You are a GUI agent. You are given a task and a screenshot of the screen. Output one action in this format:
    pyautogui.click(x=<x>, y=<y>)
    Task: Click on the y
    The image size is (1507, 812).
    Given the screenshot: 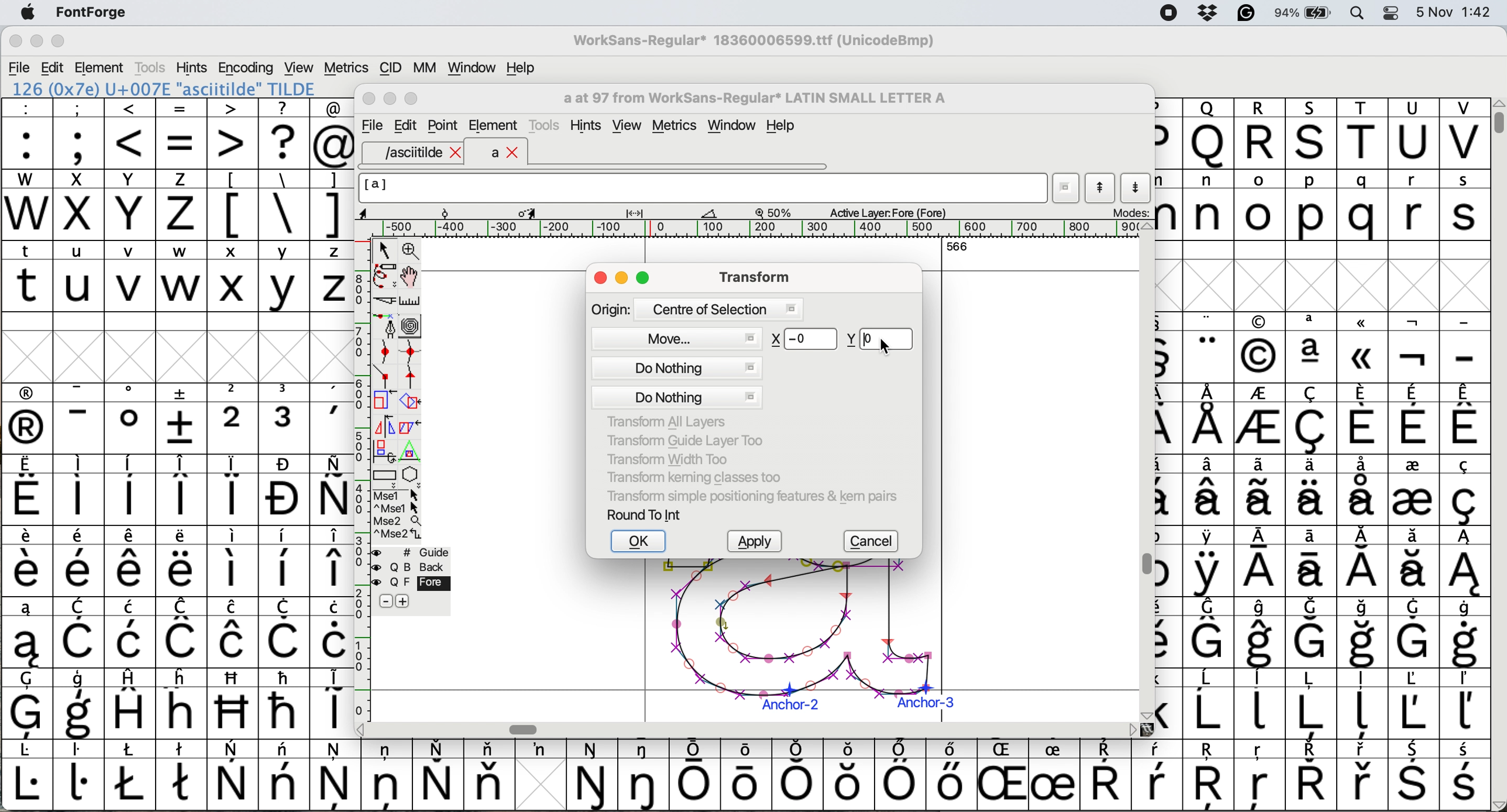 What is the action you would take?
    pyautogui.click(x=282, y=277)
    